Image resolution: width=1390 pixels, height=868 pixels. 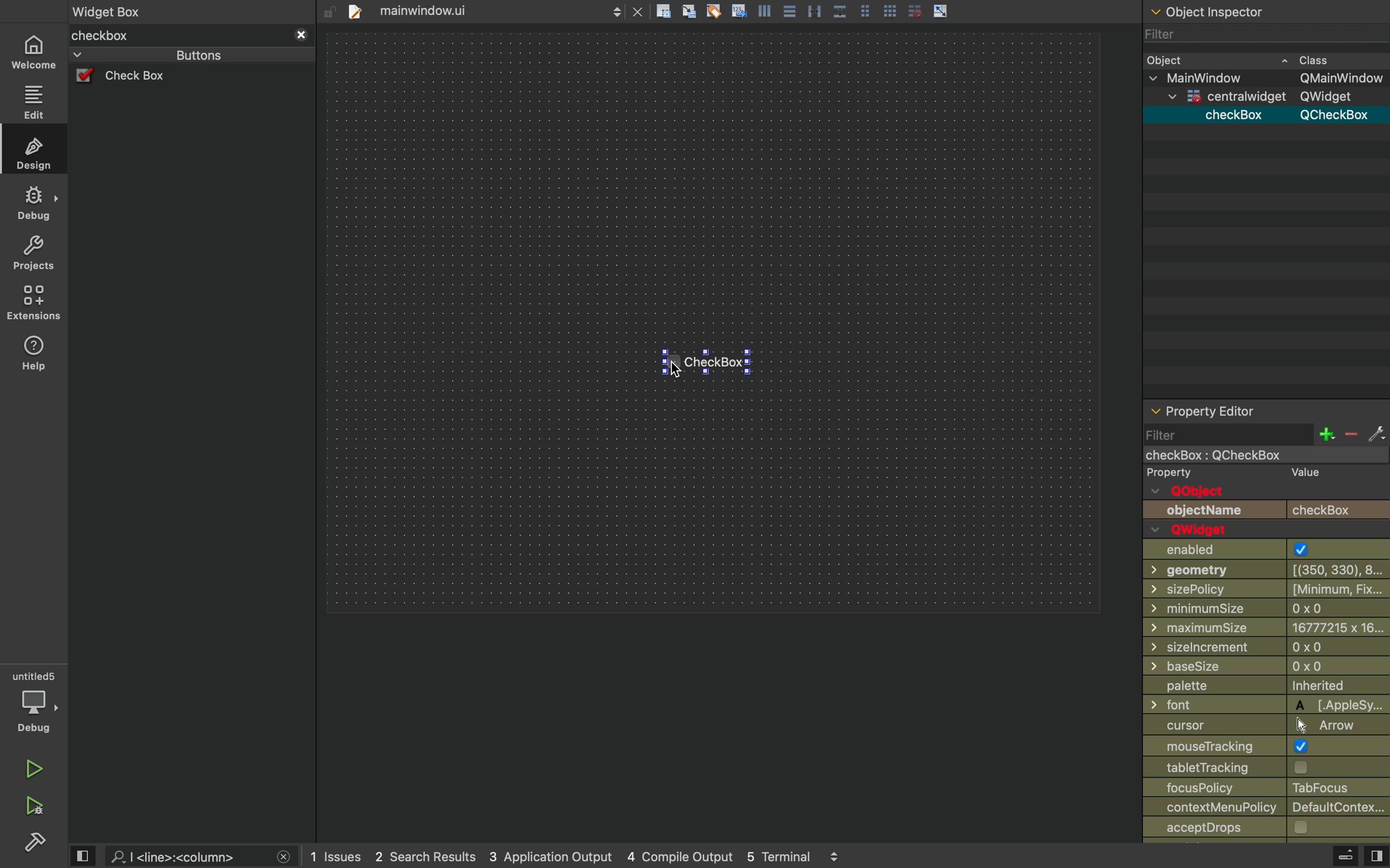 What do you see at coordinates (1376, 857) in the screenshot?
I see `view` at bounding box center [1376, 857].